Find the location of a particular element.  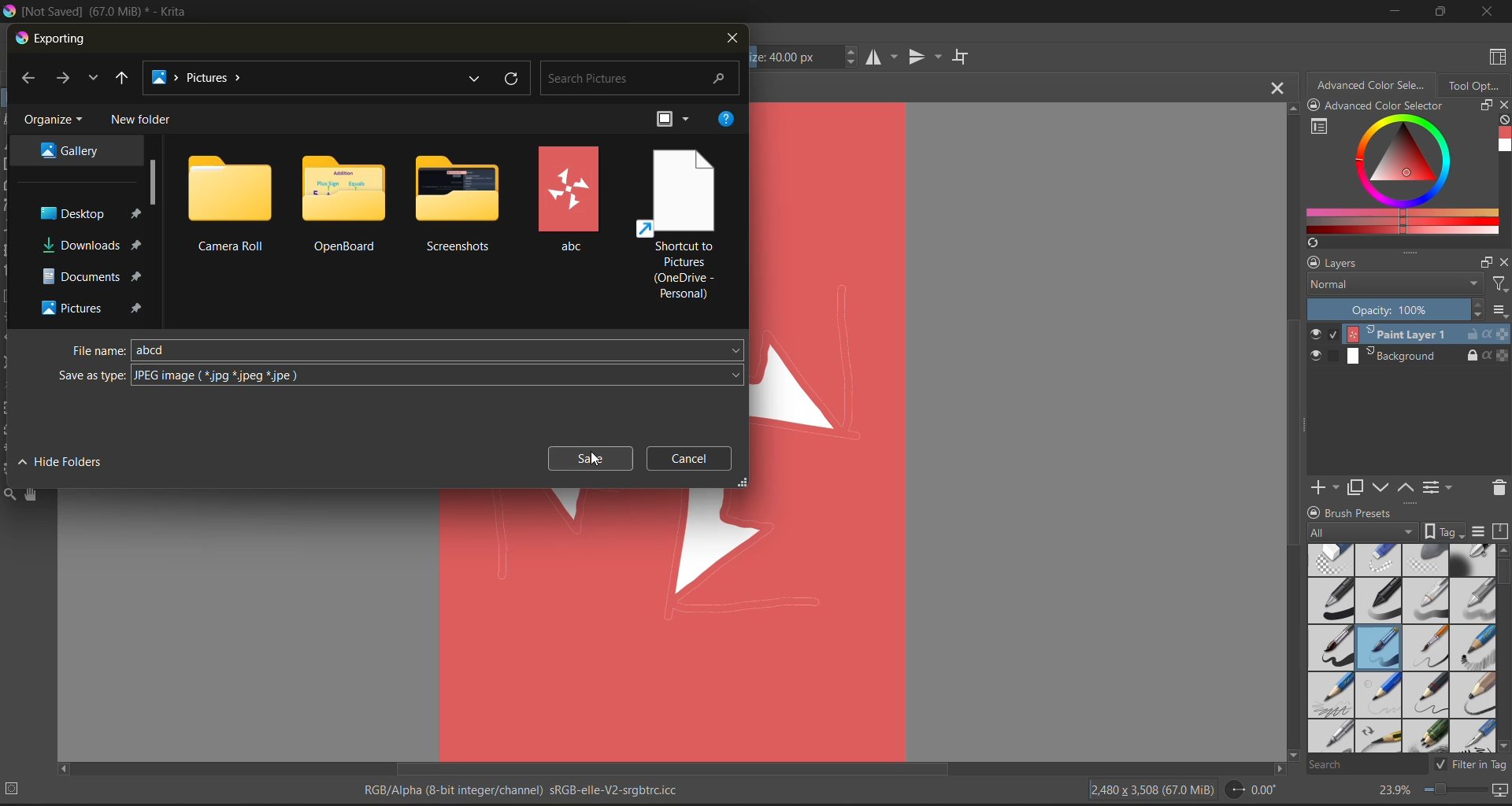

cancel is located at coordinates (689, 457).